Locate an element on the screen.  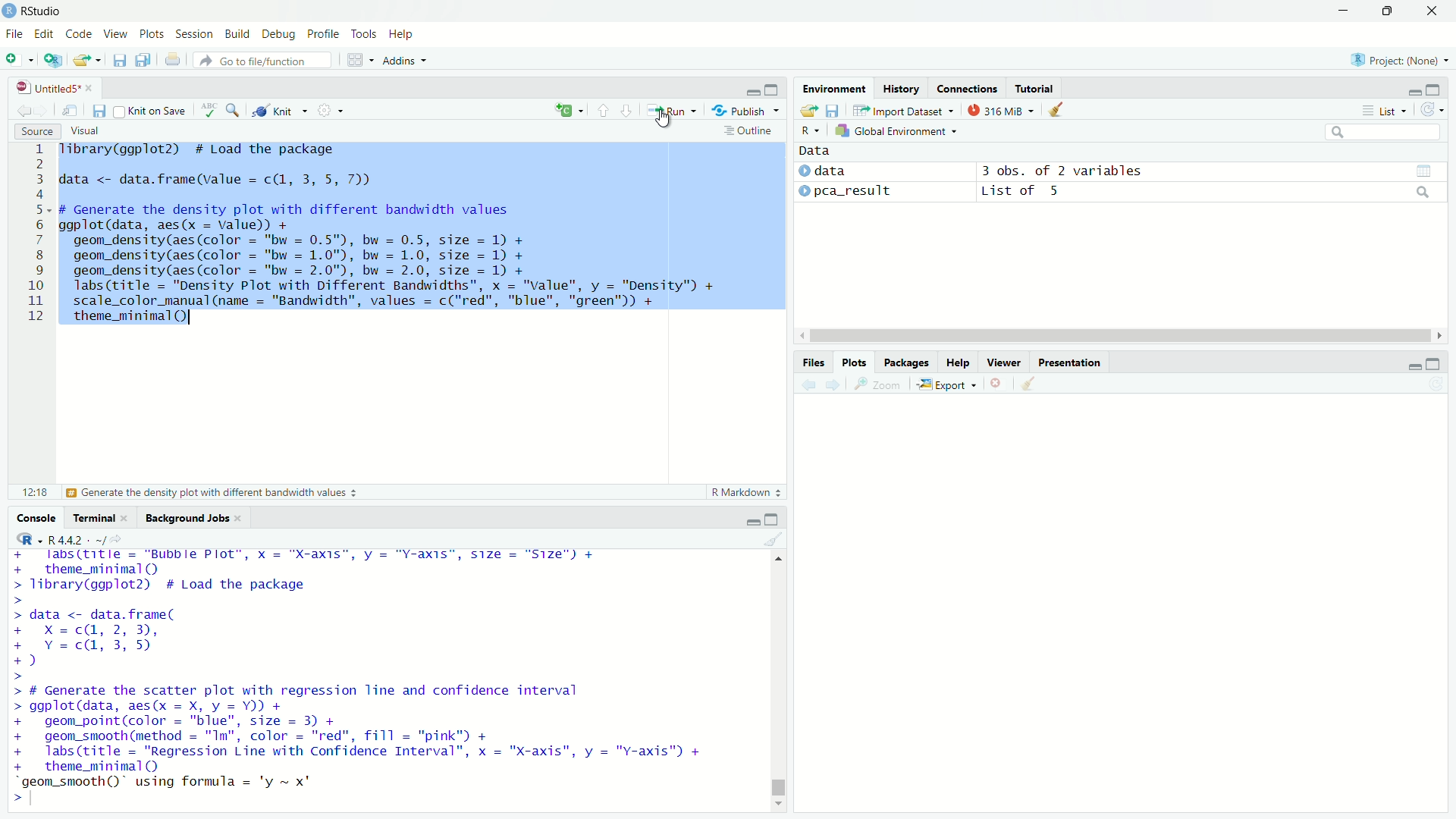
vertical scroll bar is located at coordinates (779, 679).